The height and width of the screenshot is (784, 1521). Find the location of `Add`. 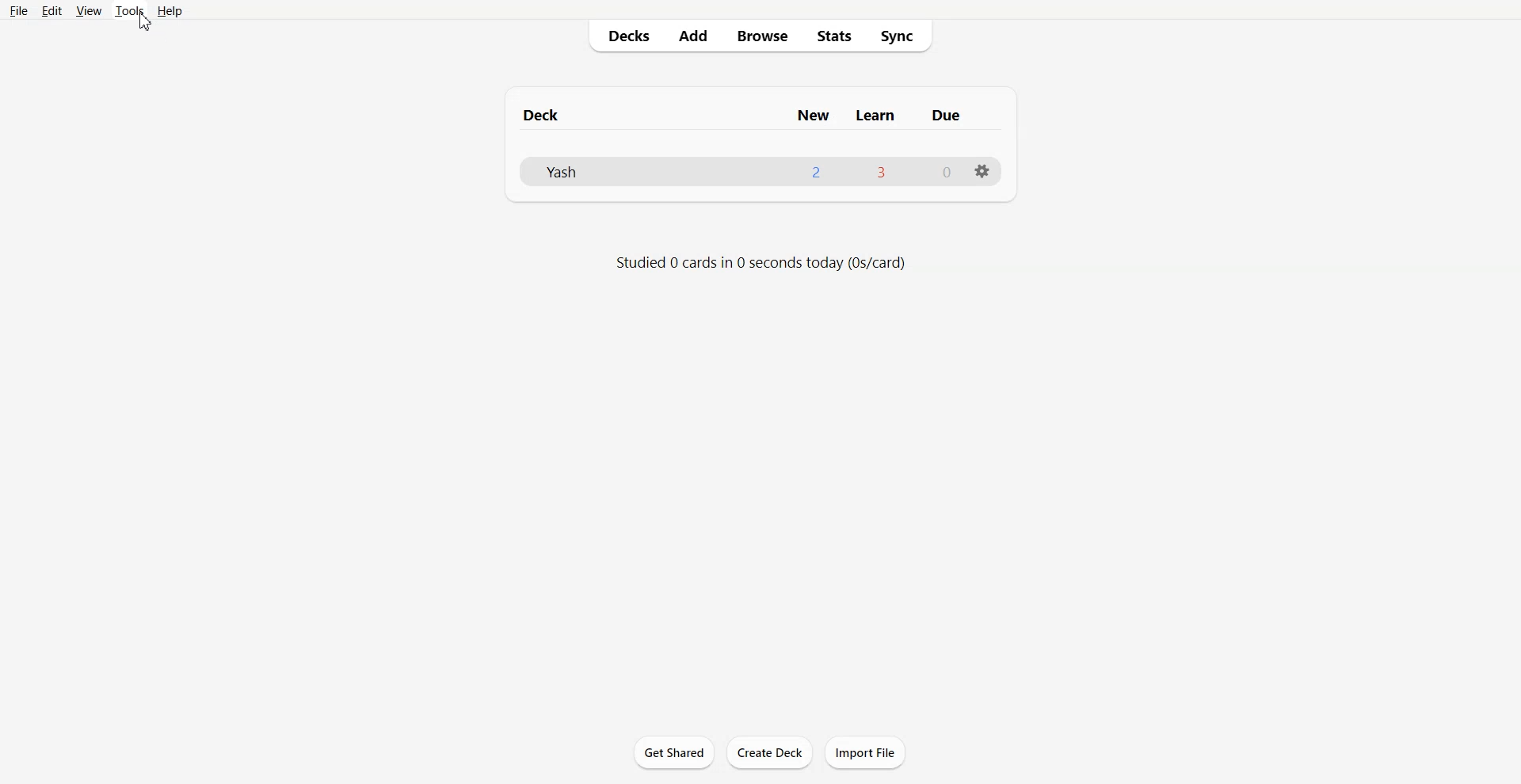

Add is located at coordinates (693, 36).